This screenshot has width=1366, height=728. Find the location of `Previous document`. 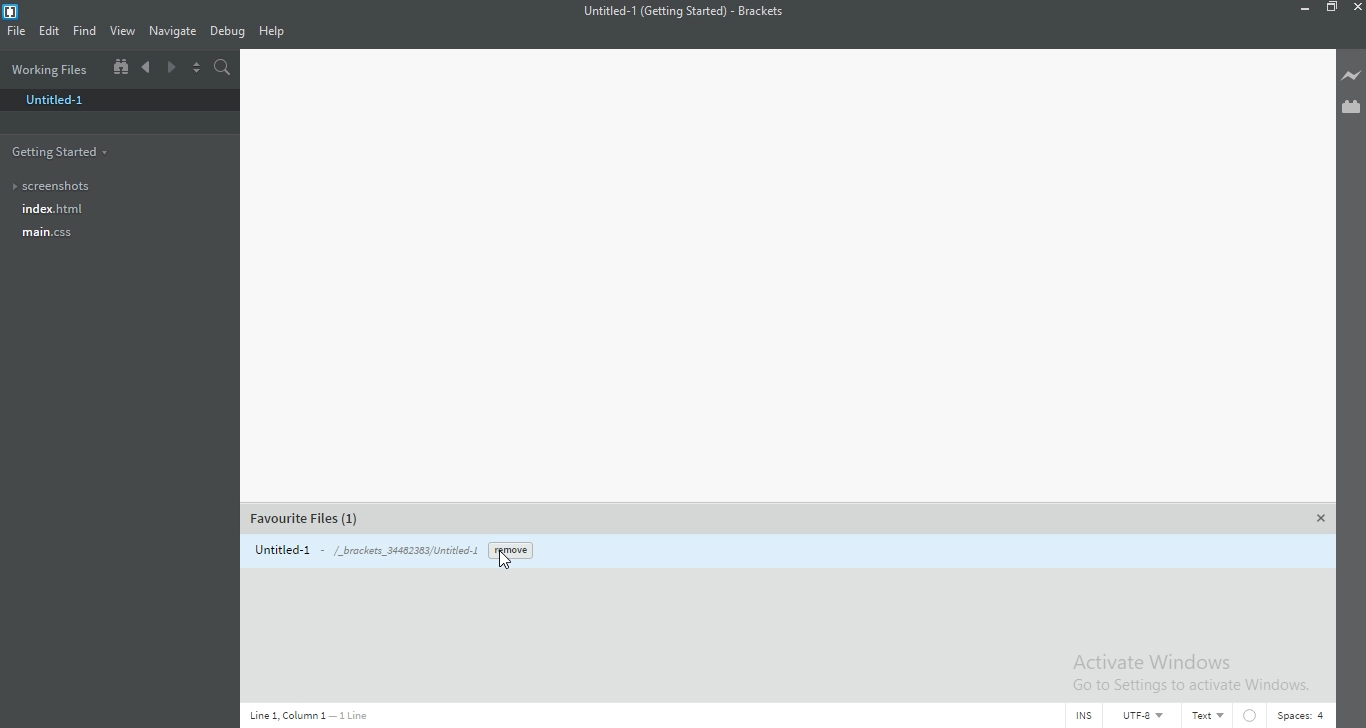

Previous document is located at coordinates (150, 71).